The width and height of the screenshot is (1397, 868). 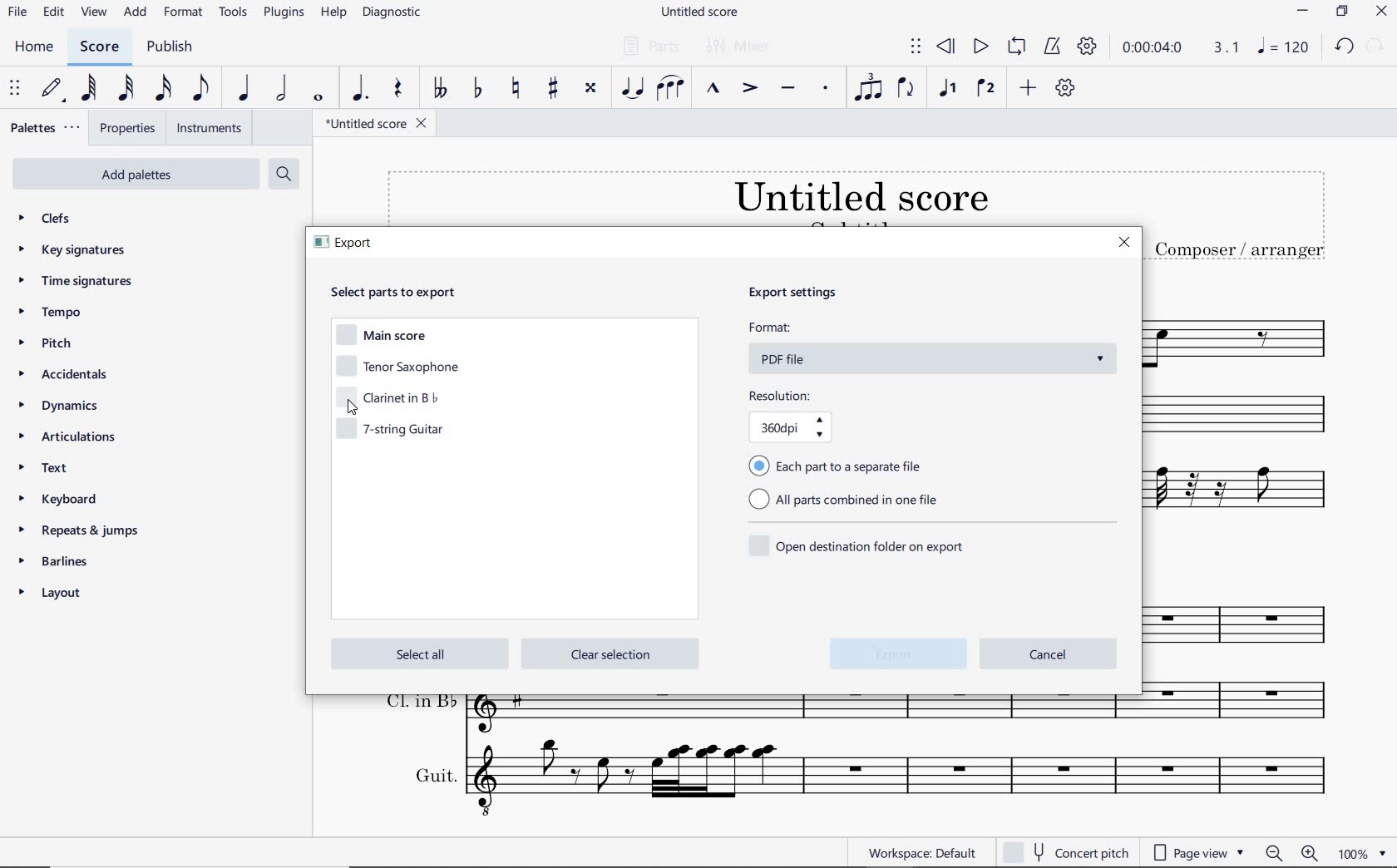 I want to click on PLUGINS, so click(x=286, y=16).